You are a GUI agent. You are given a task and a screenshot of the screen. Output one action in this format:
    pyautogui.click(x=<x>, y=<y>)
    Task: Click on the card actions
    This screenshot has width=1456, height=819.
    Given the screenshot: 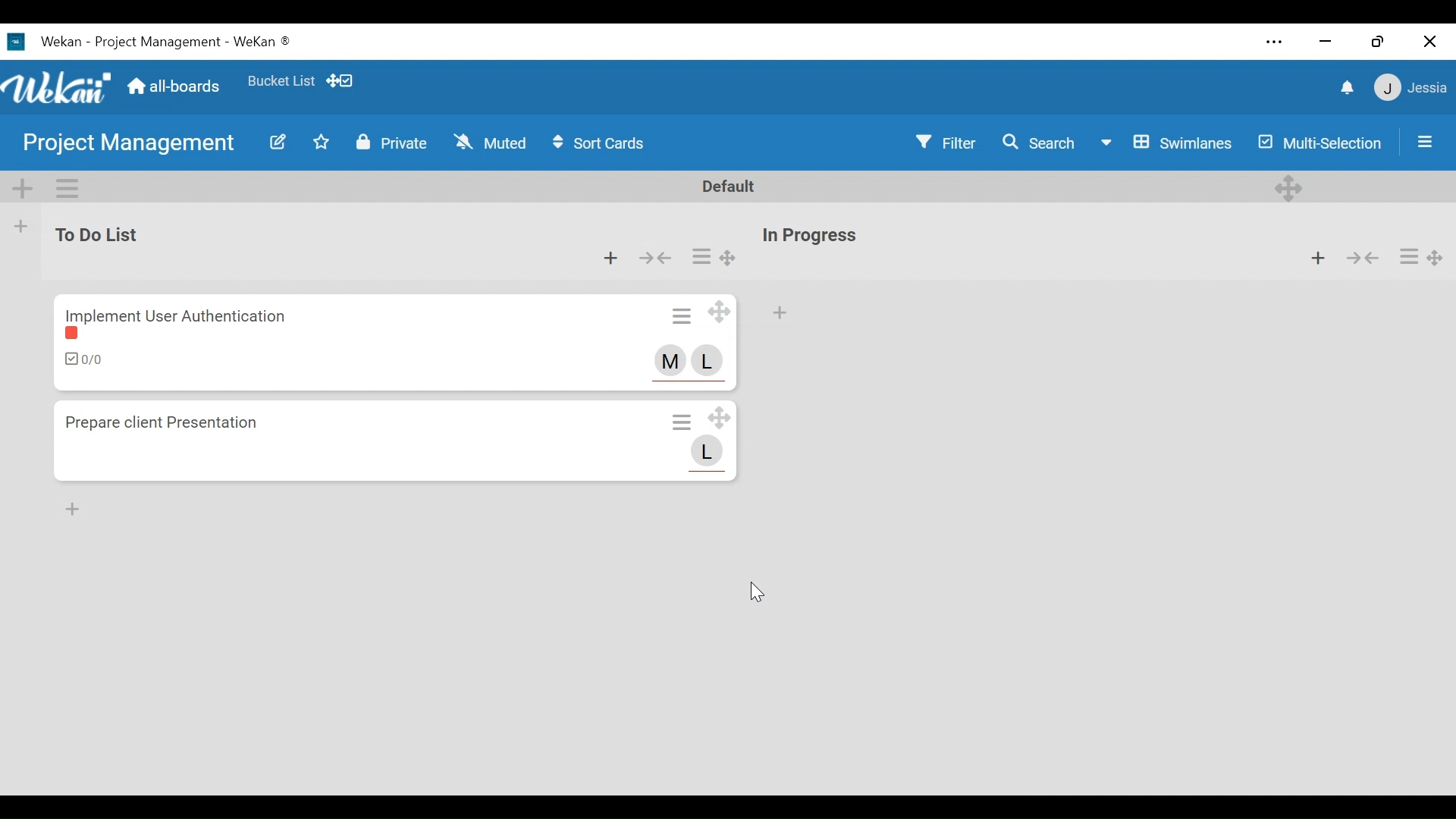 What is the action you would take?
    pyautogui.click(x=684, y=315)
    